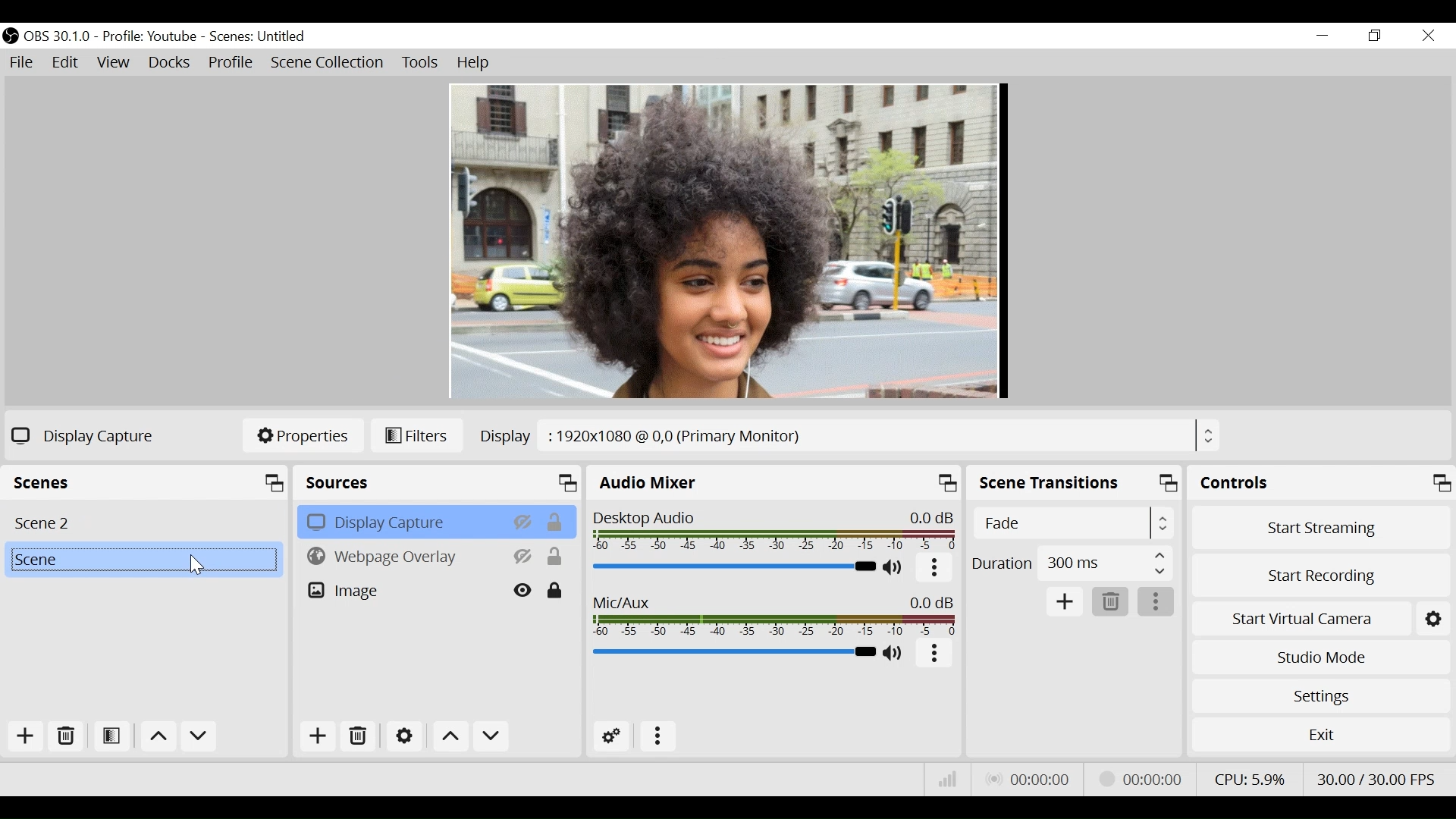  What do you see at coordinates (524, 556) in the screenshot?
I see `HIde/Display` at bounding box center [524, 556].